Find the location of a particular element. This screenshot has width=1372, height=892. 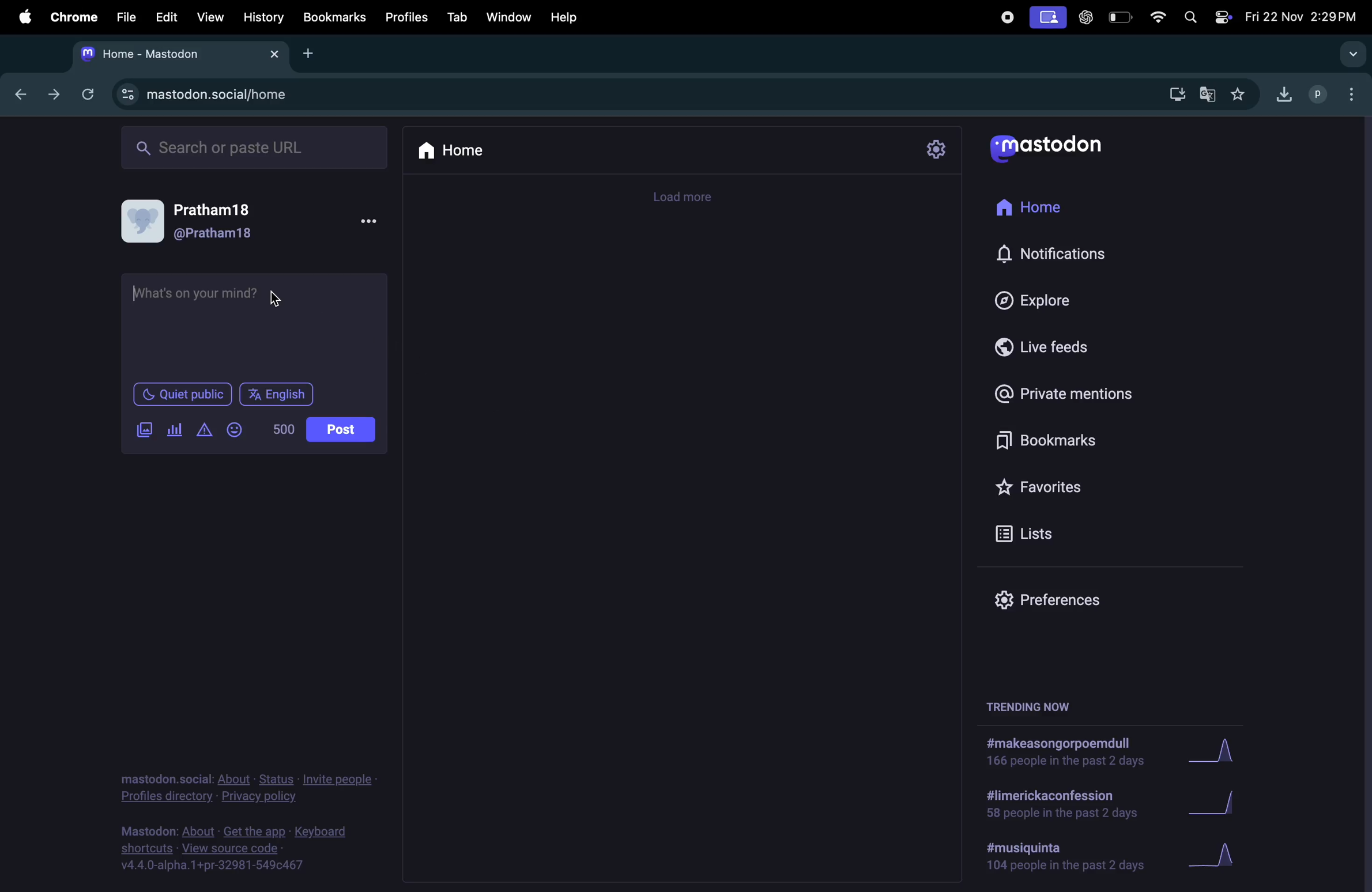

profiles is located at coordinates (404, 17).